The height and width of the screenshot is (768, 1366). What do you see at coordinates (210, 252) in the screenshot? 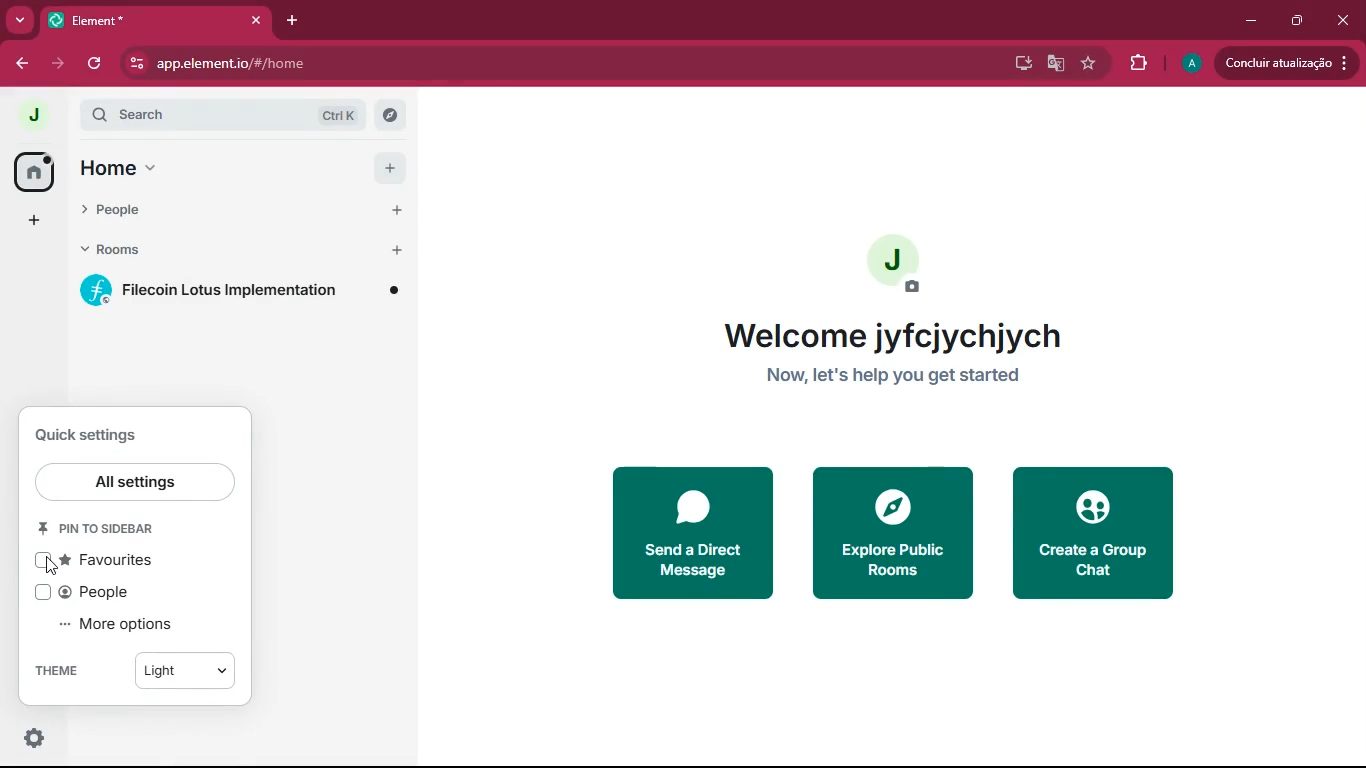
I see `rooms` at bounding box center [210, 252].